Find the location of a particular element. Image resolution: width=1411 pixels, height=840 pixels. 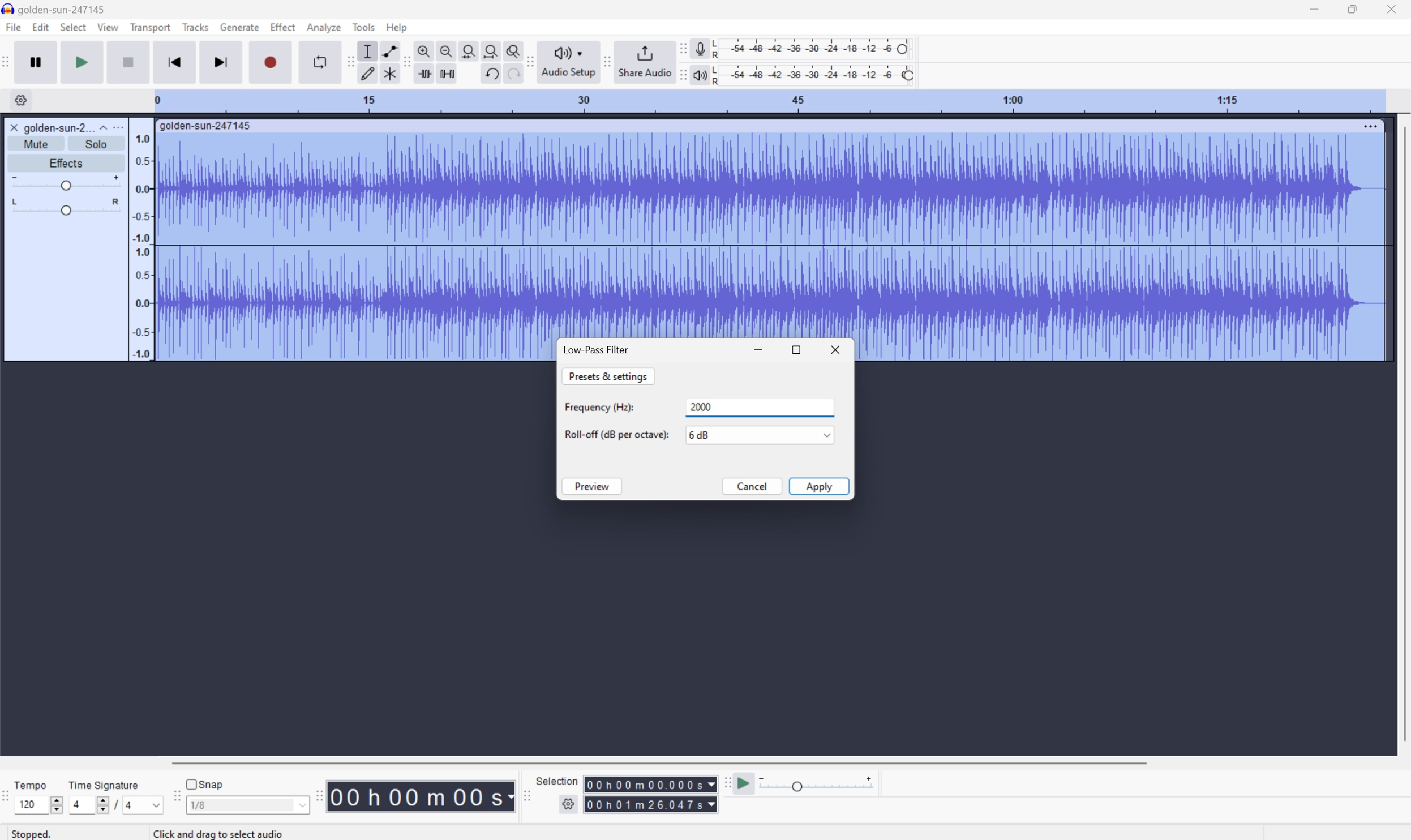

4 slider is located at coordinates (87, 804).